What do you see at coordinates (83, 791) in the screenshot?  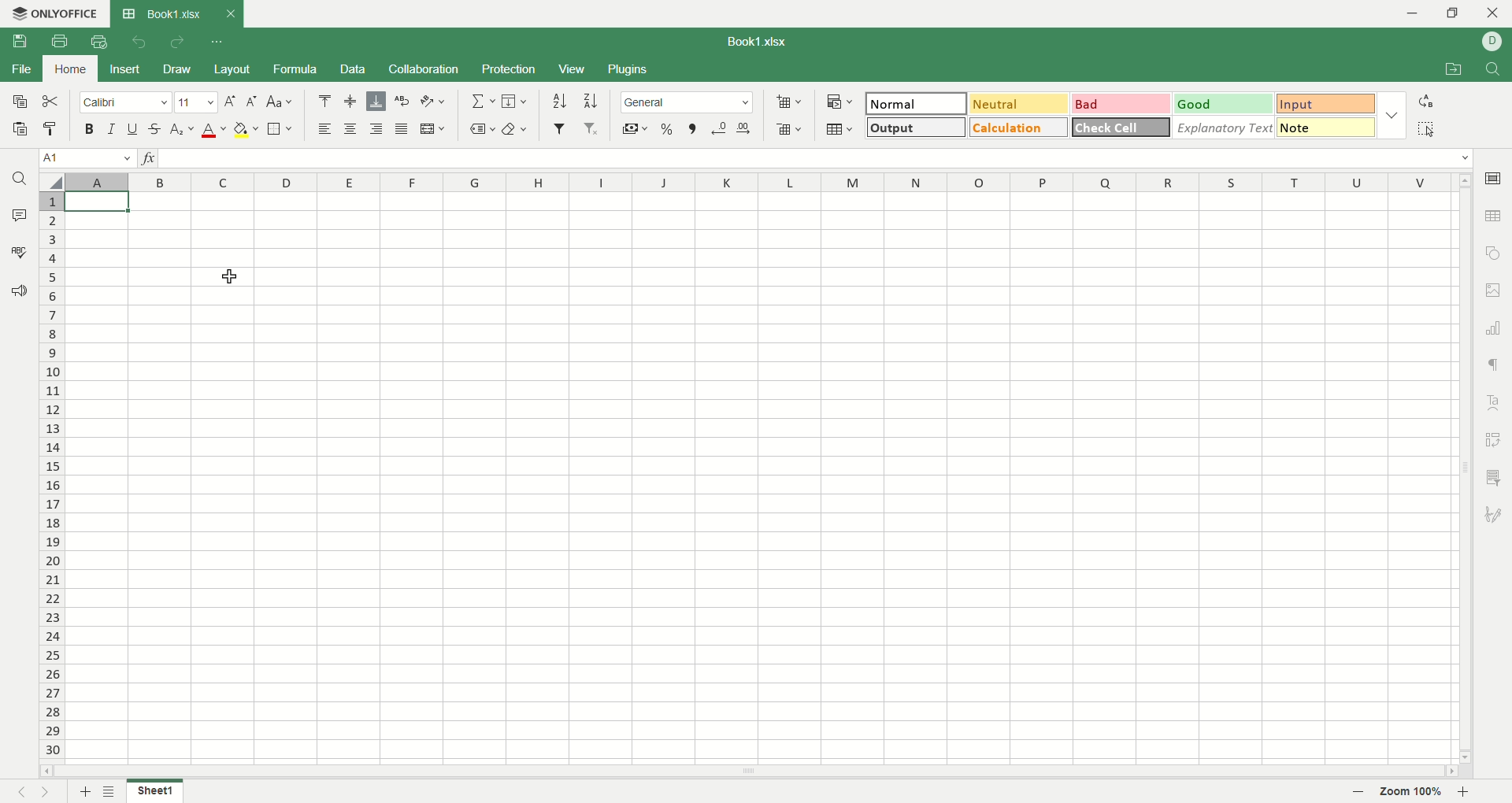 I see `add` at bounding box center [83, 791].